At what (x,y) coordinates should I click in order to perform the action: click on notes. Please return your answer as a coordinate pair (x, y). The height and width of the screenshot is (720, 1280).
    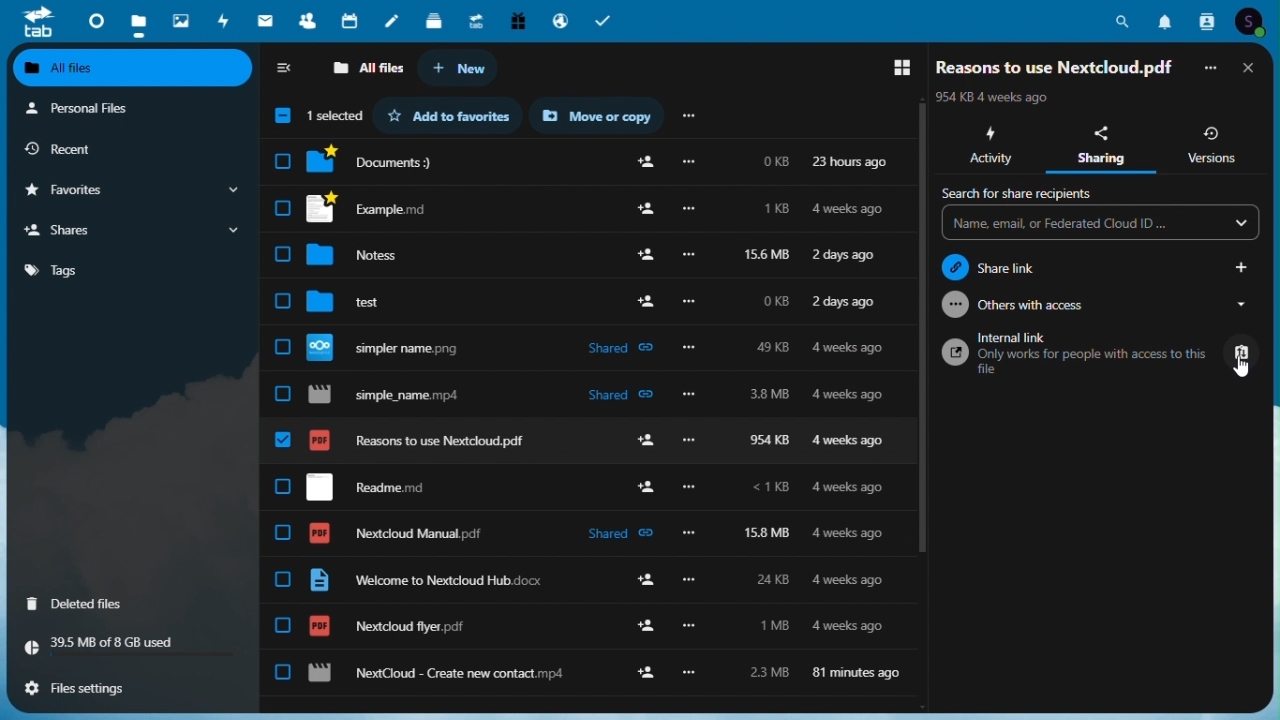
    Looking at the image, I should click on (392, 22).